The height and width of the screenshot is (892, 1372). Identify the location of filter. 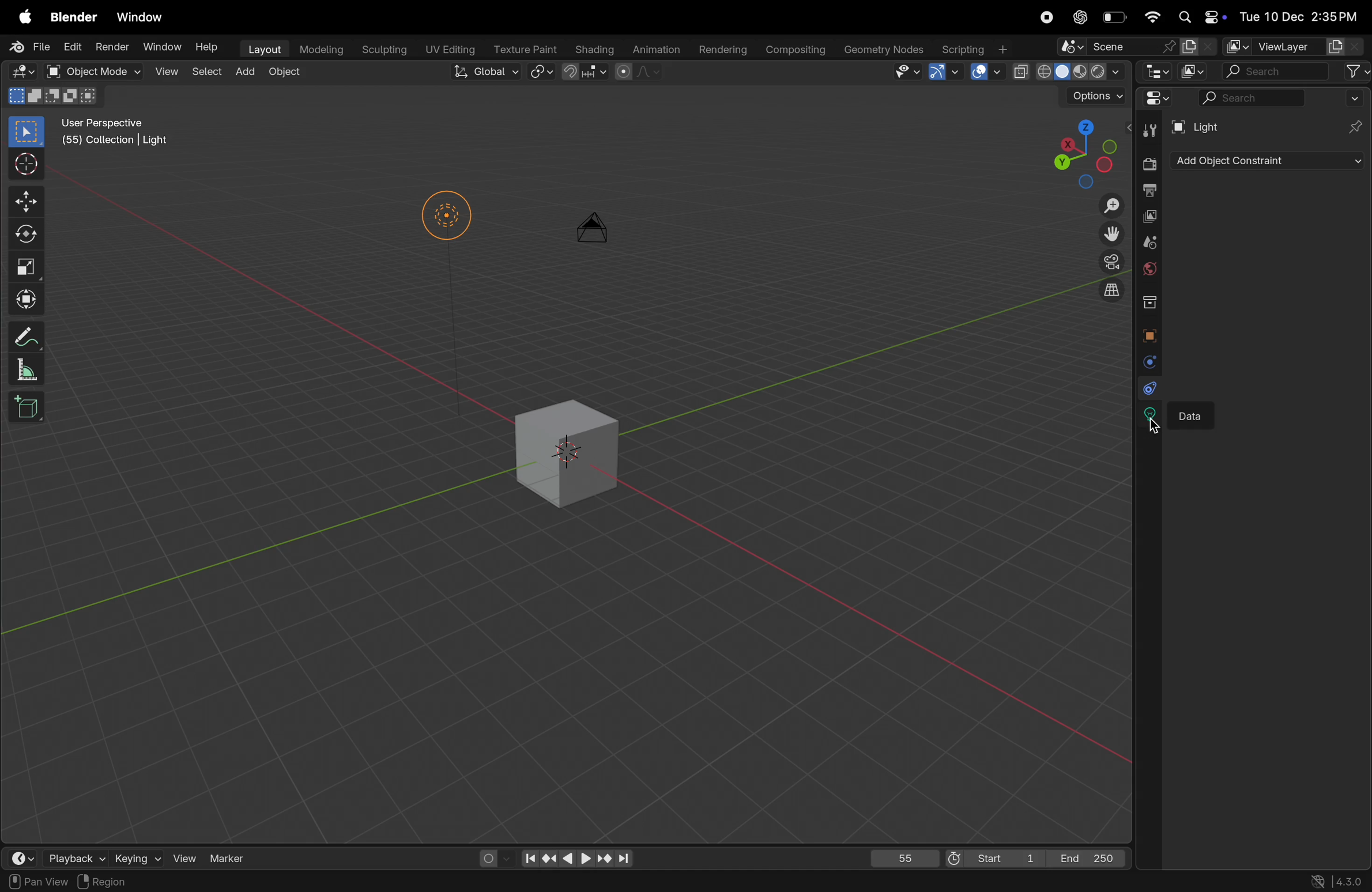
(1356, 71).